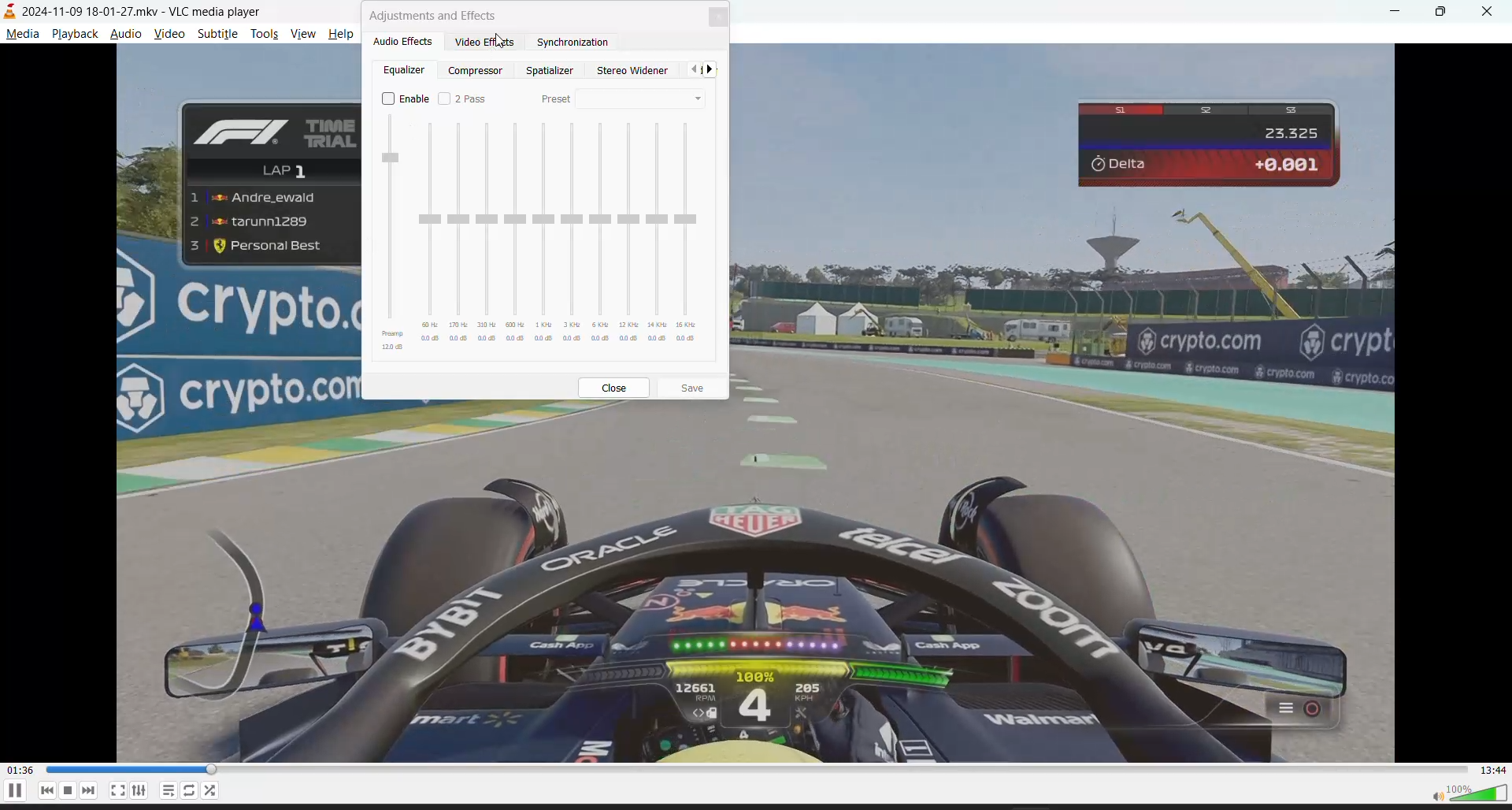 The image size is (1512, 810). What do you see at coordinates (1464, 795) in the screenshot?
I see `volume` at bounding box center [1464, 795].